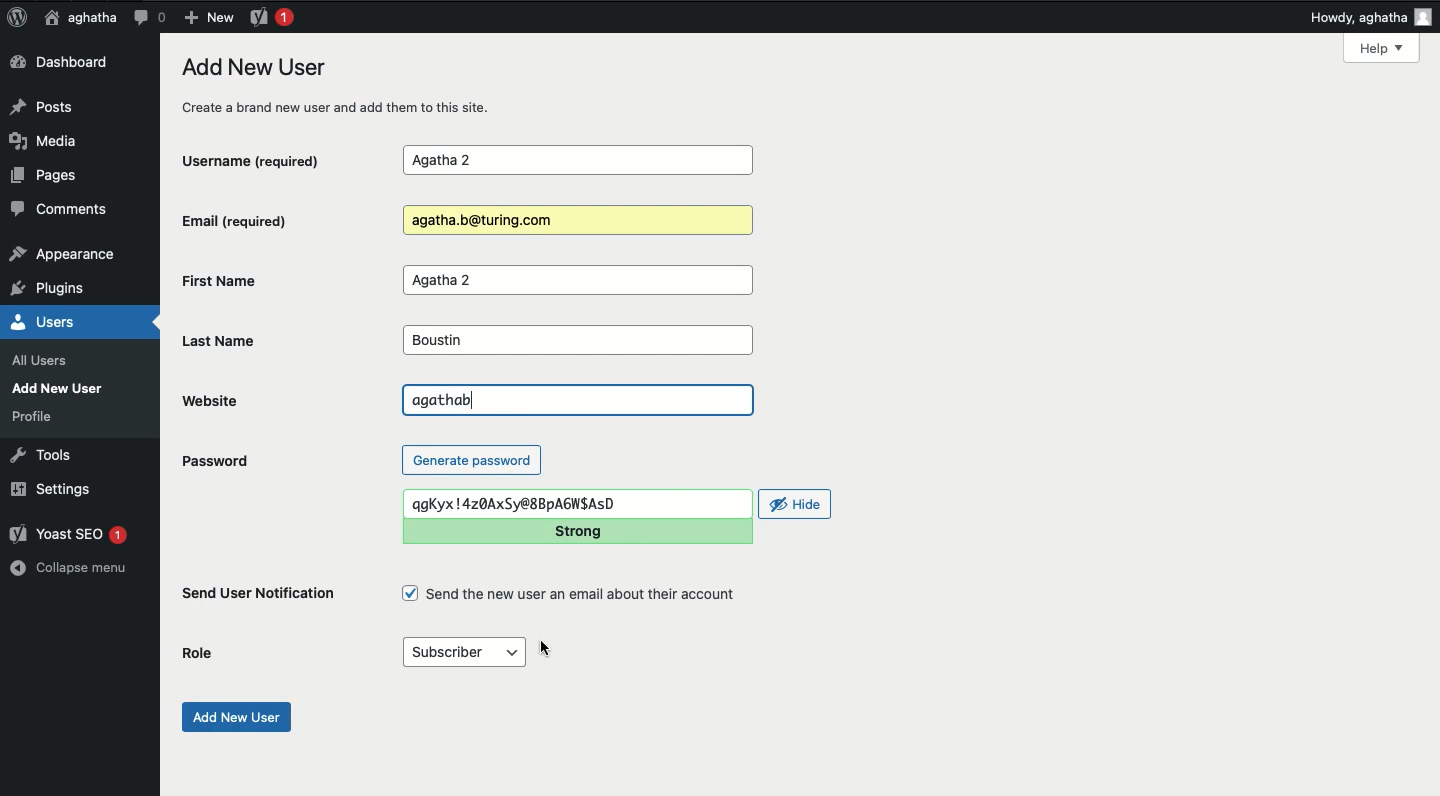 The width and height of the screenshot is (1440, 796). I want to click on Strong, so click(575, 532).